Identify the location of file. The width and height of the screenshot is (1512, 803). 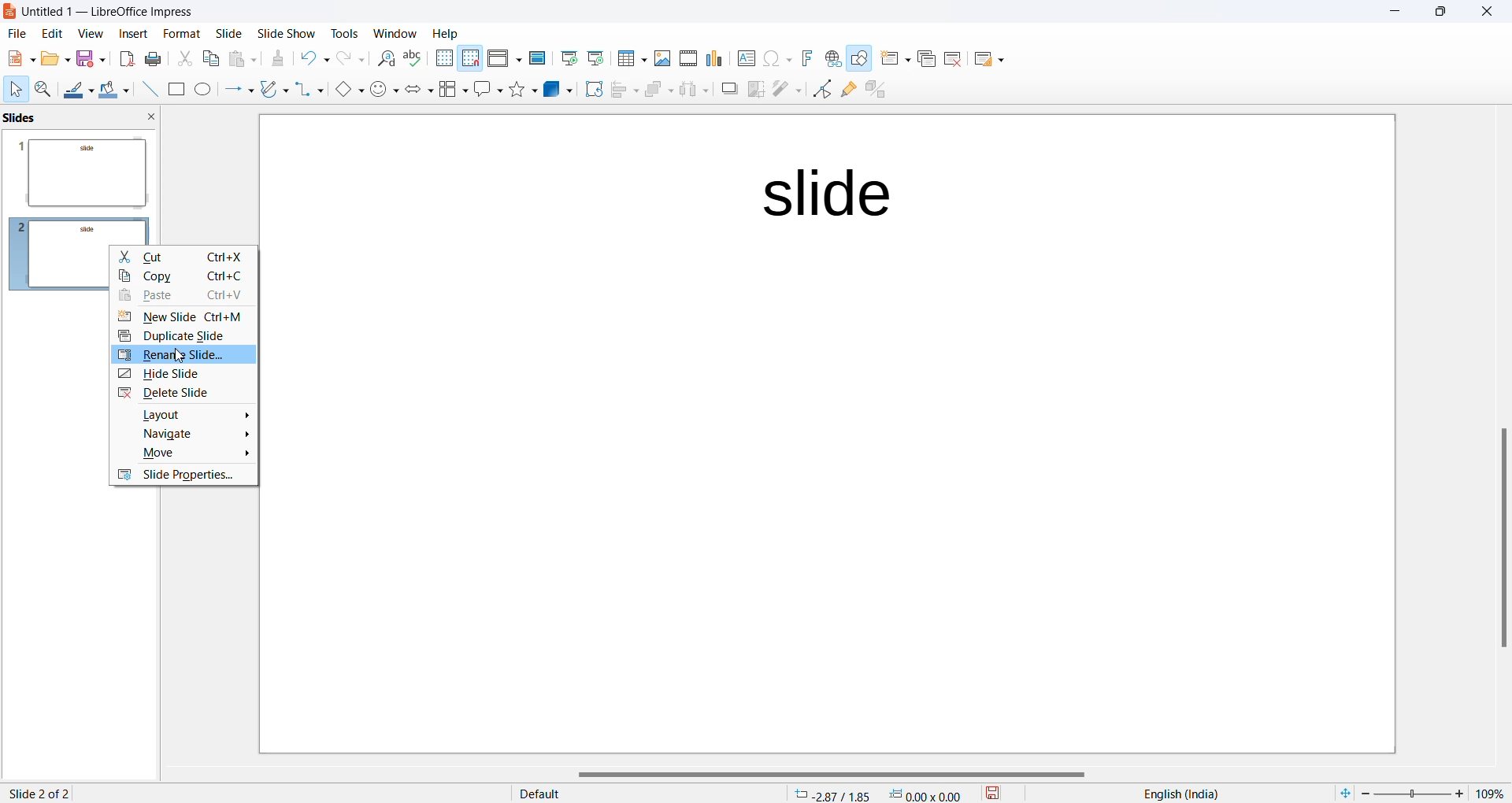
(15, 35).